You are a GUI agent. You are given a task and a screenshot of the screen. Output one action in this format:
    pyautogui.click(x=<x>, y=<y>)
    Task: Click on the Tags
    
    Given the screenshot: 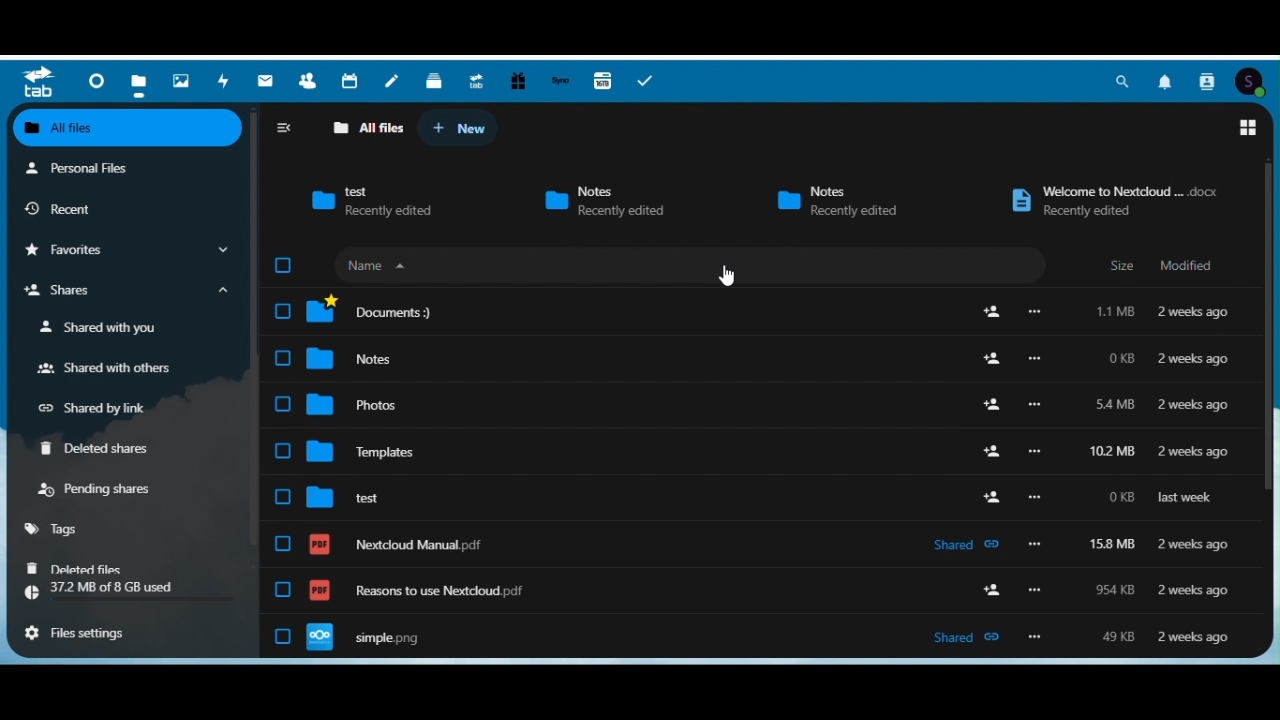 What is the action you would take?
    pyautogui.click(x=58, y=531)
    